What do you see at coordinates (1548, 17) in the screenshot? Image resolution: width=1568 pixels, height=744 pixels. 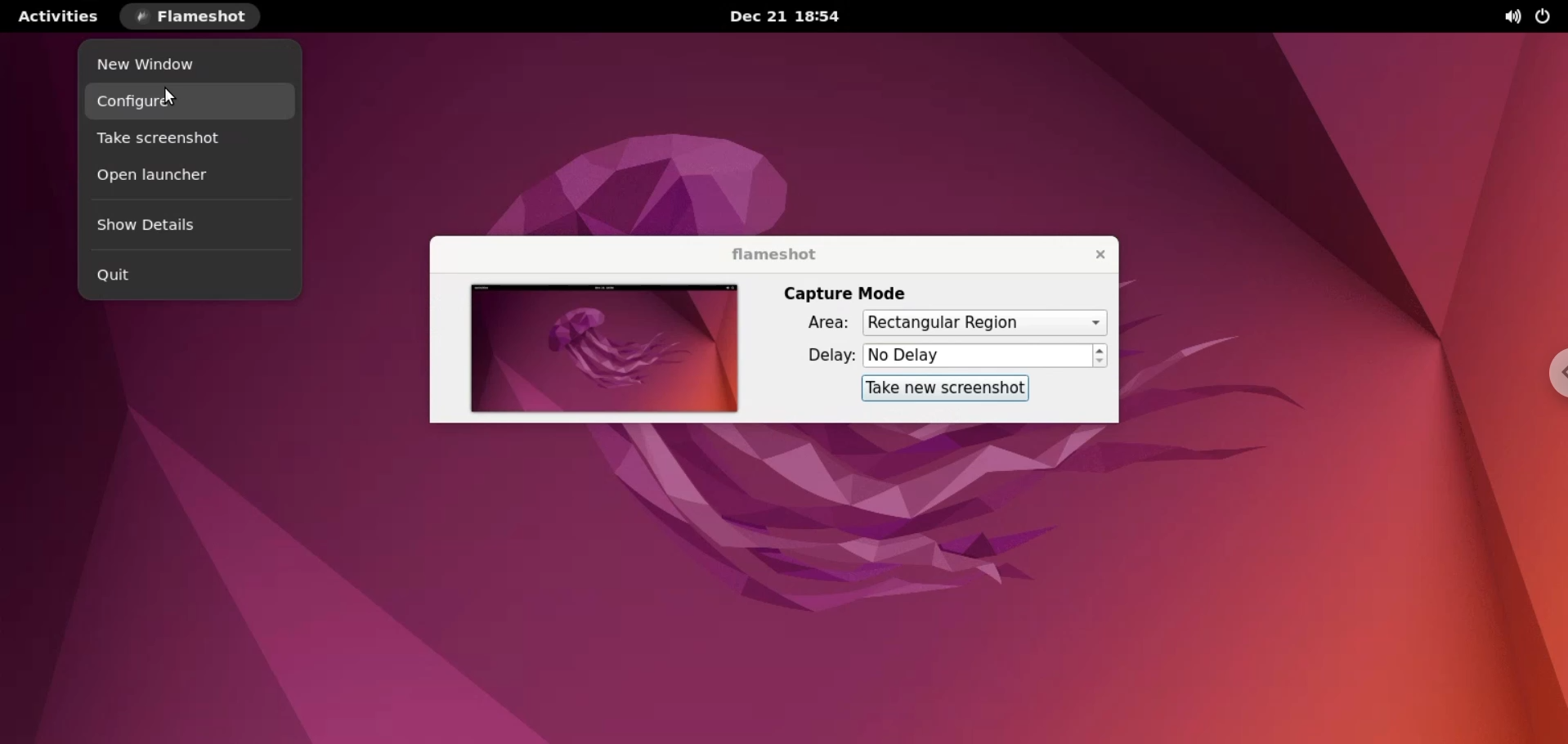 I see `power options` at bounding box center [1548, 17].